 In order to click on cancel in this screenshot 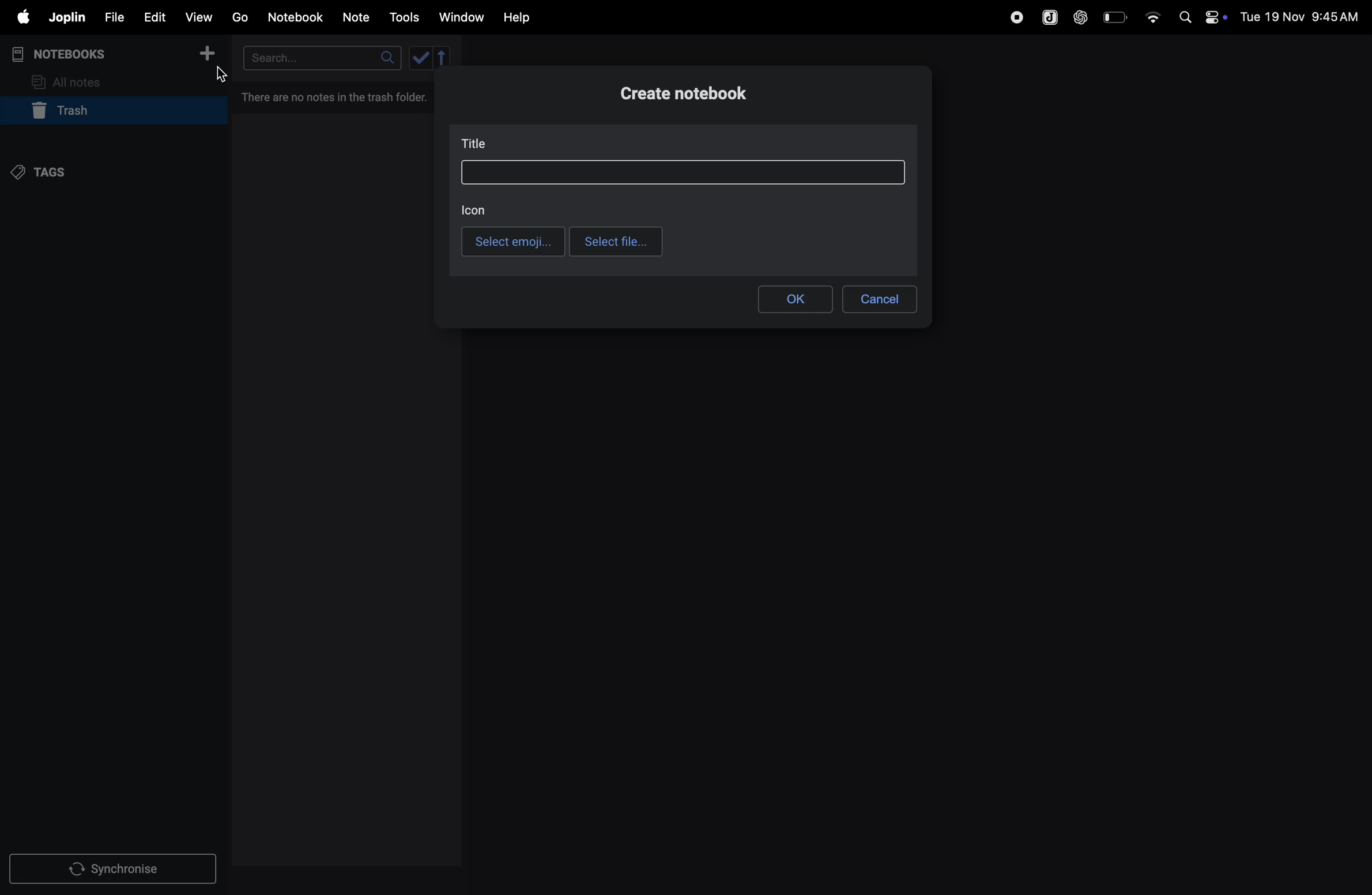, I will do `click(879, 296)`.